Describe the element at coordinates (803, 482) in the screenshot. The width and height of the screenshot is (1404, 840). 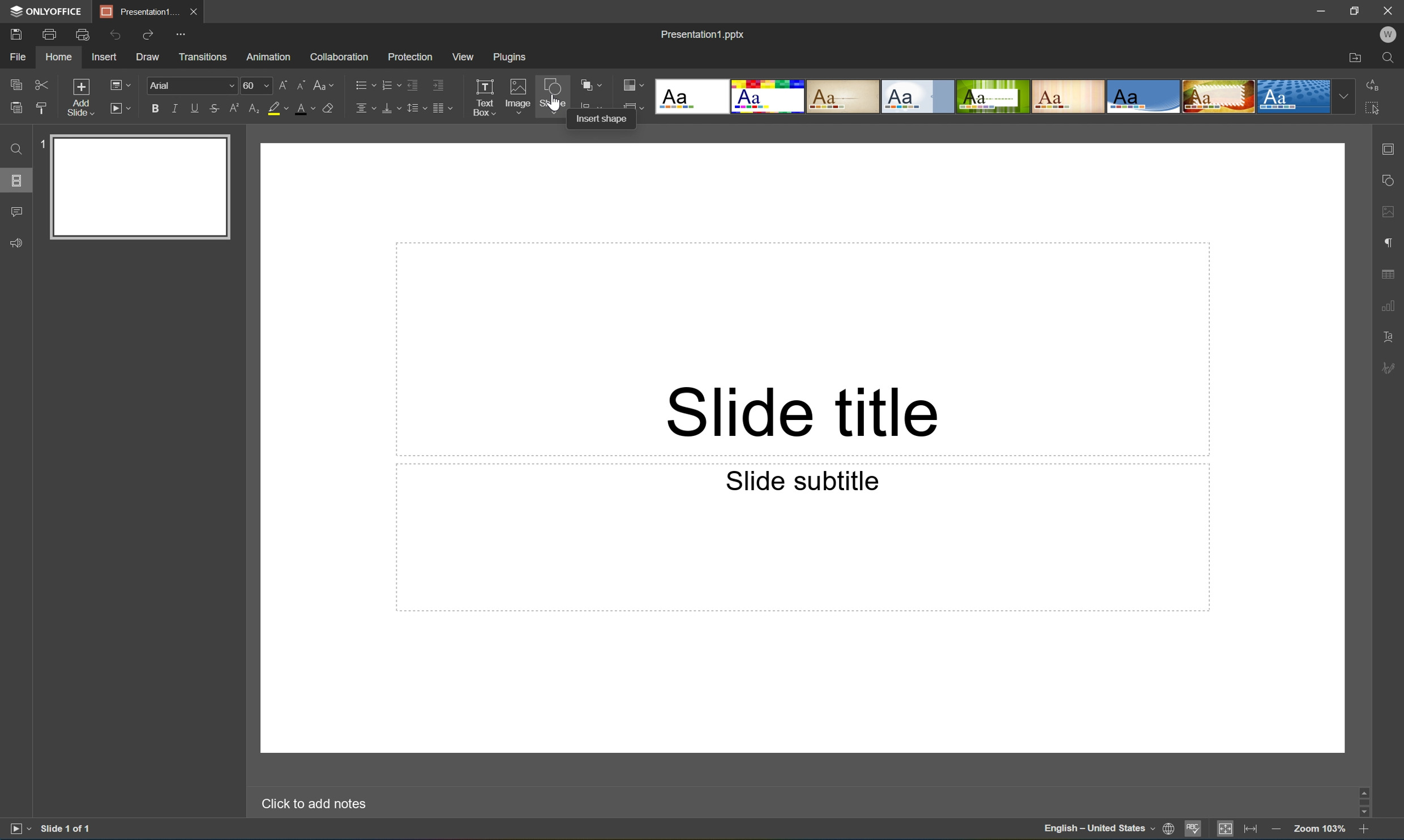
I see `Slide subtitle` at that location.